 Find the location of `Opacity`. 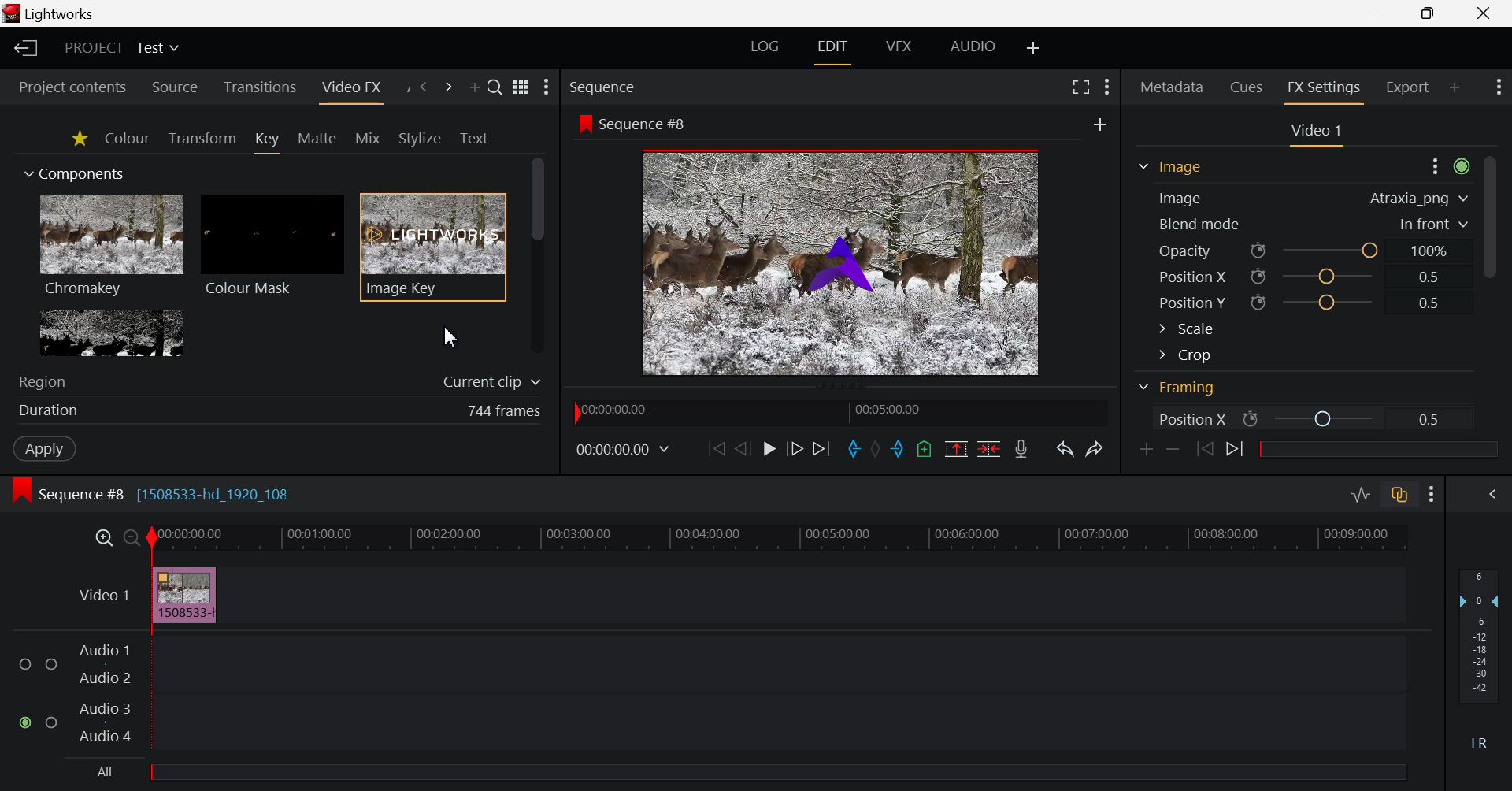

Opacity is located at coordinates (1185, 249).